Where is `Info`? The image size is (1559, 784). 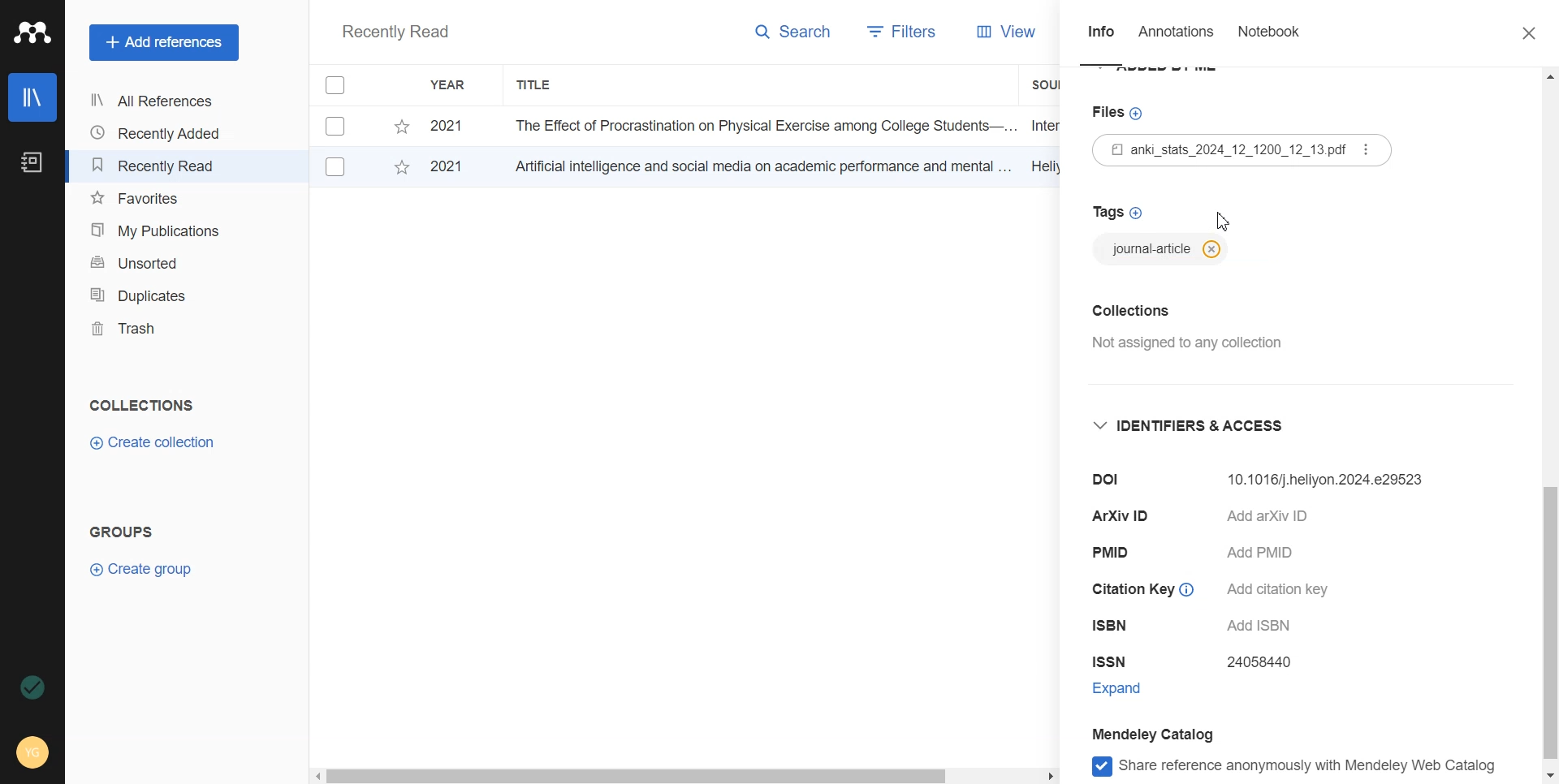
Info is located at coordinates (1101, 37).